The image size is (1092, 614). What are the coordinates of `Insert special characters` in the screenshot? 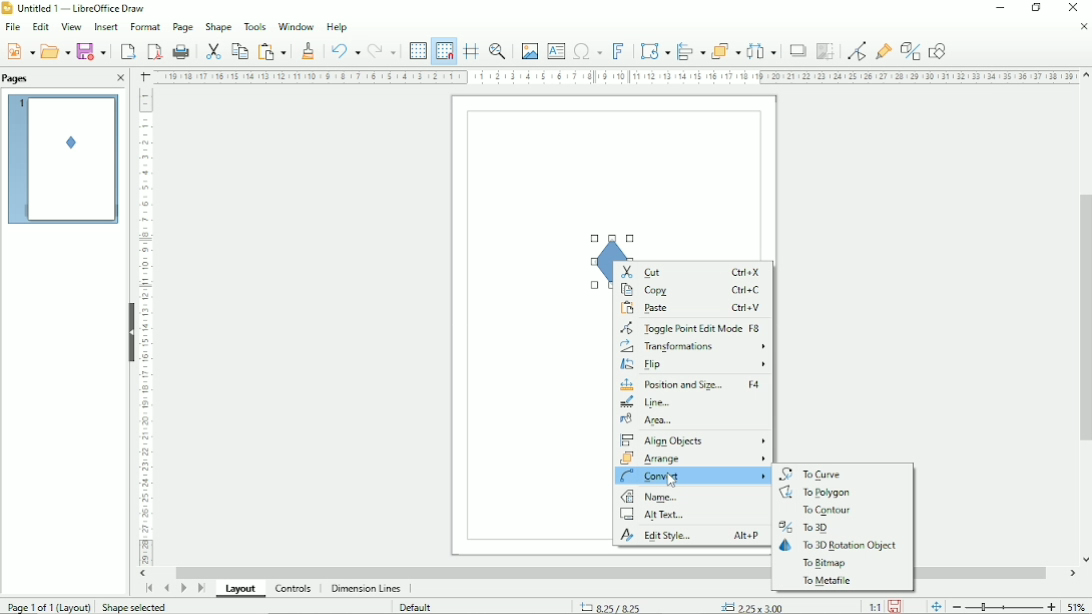 It's located at (587, 49).